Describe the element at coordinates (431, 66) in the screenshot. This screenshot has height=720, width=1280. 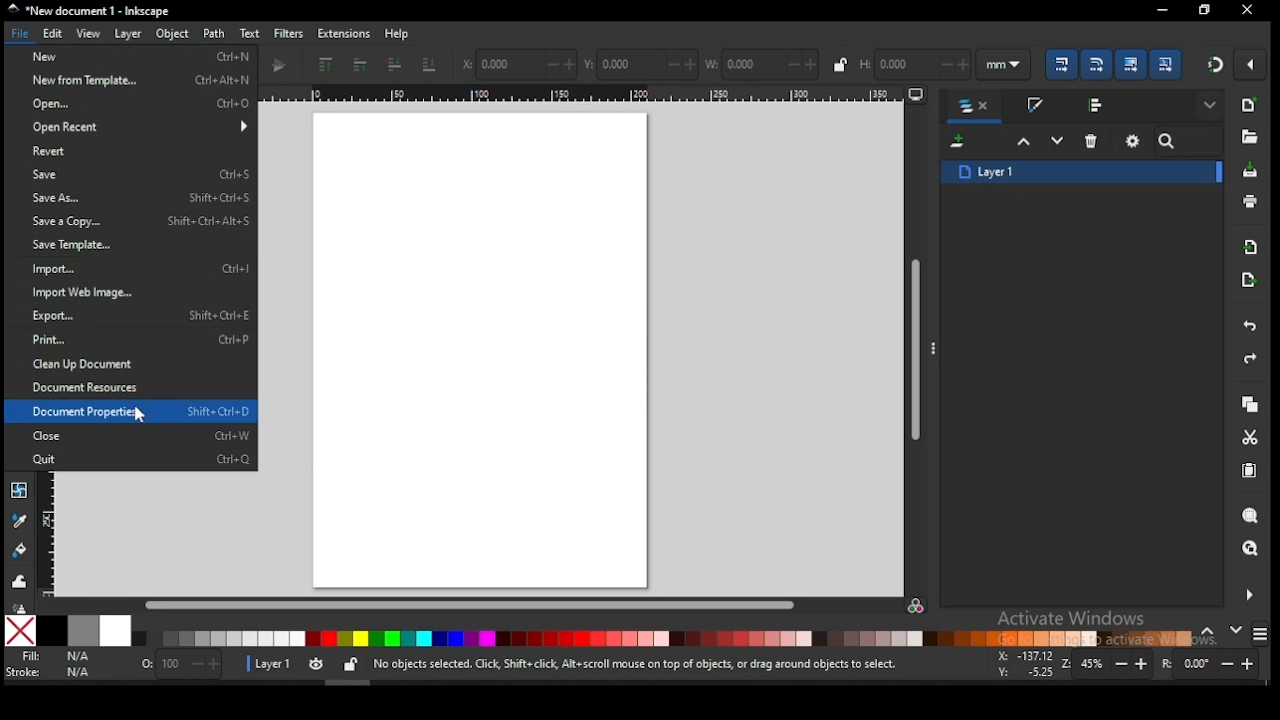
I see `lower to bottom` at that location.